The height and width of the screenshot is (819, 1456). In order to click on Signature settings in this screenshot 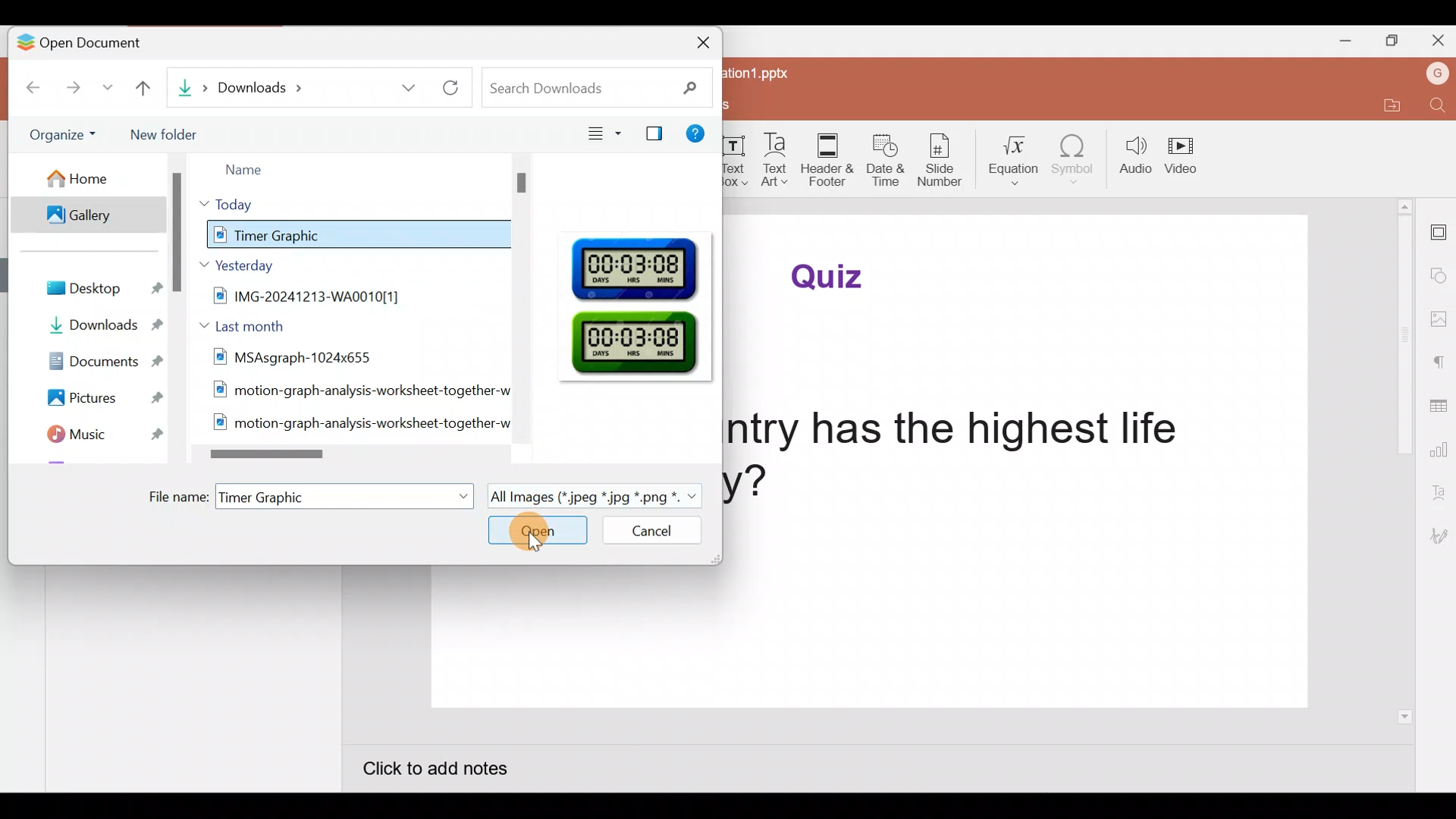, I will do `click(1439, 536)`.